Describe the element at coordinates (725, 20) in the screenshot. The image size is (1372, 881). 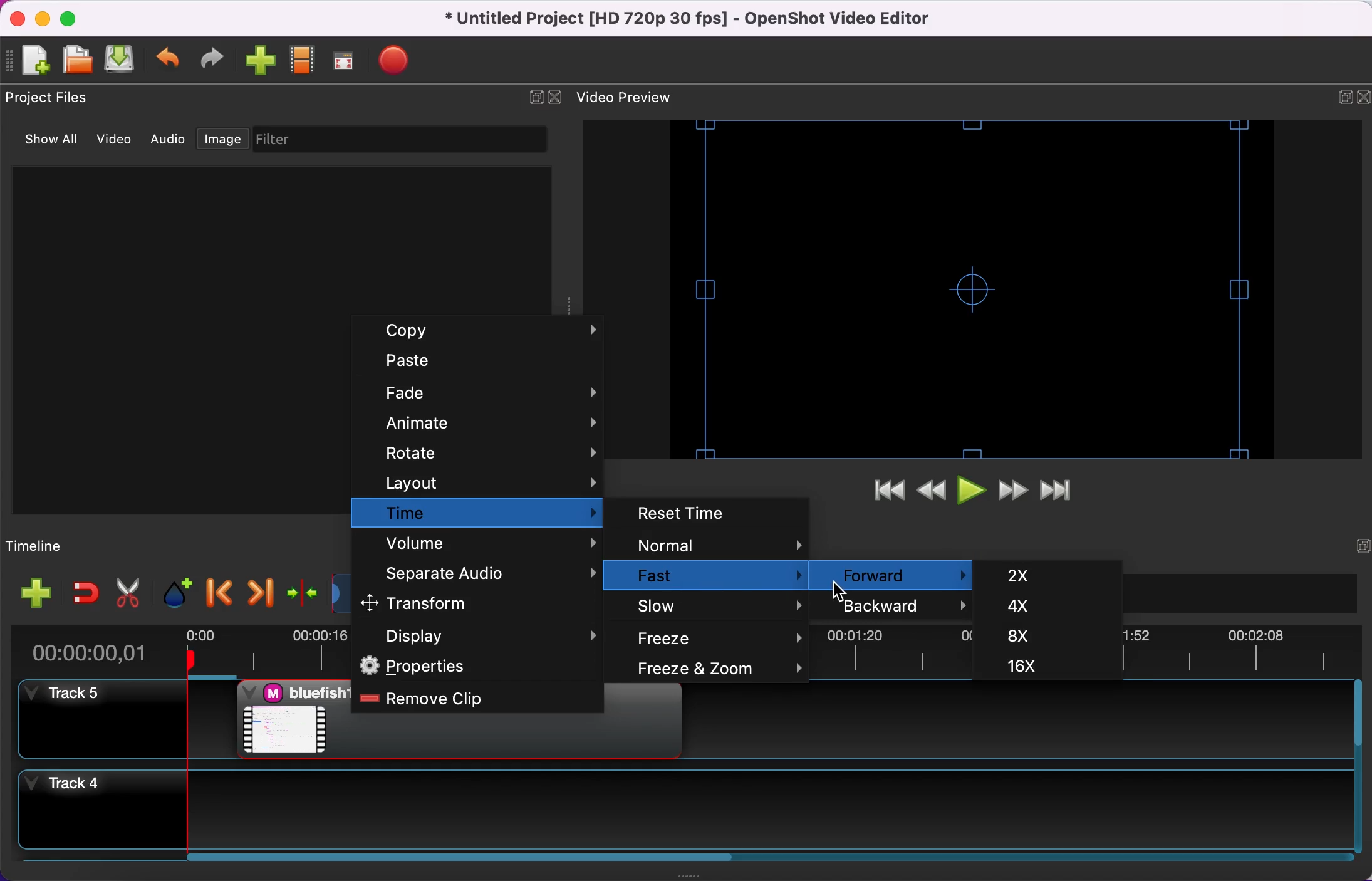
I see `title - • Untitled Project [HD 720p 30 fps] - OpenShot Video Editor` at that location.